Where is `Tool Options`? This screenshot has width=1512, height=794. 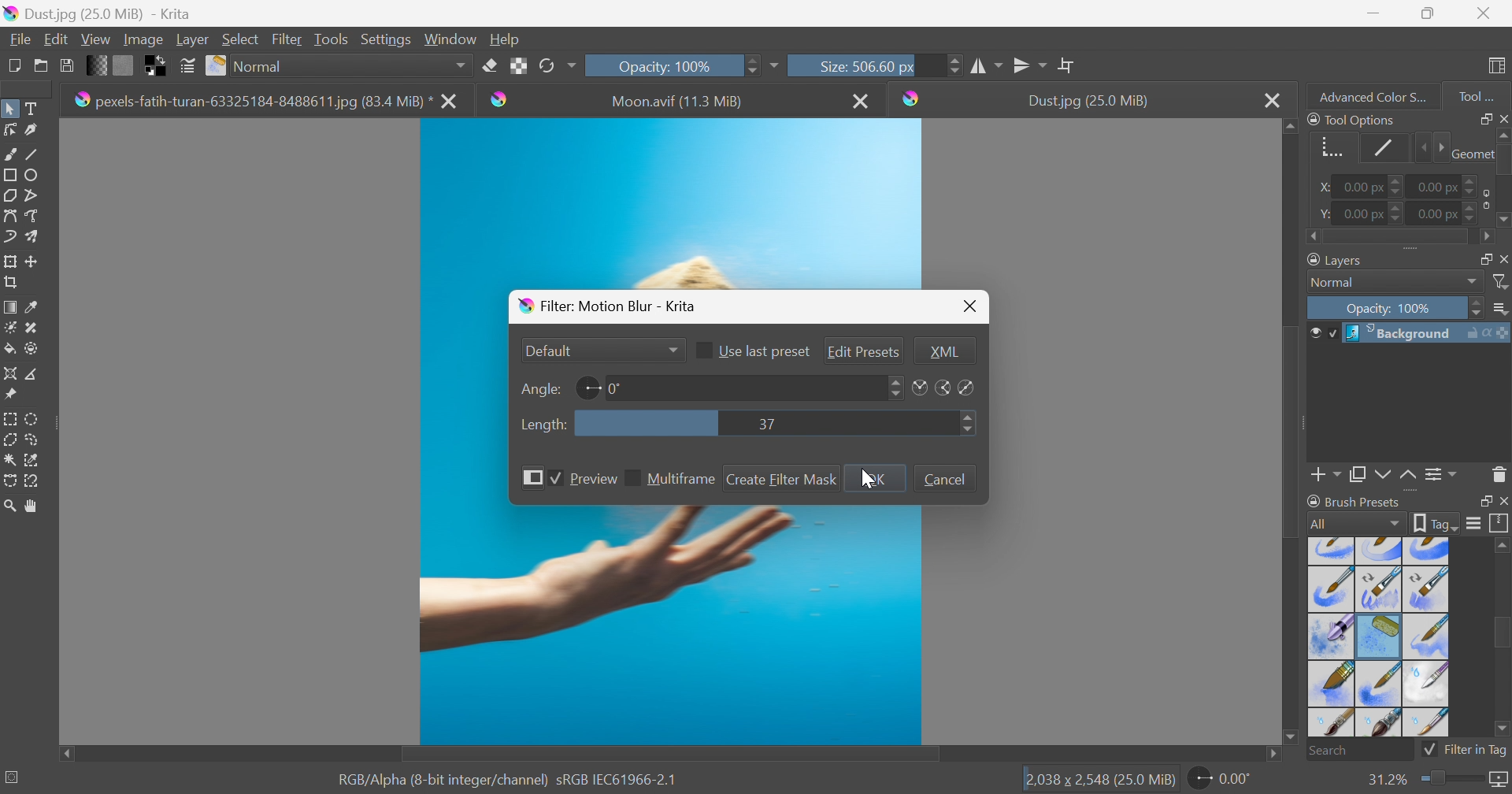 Tool Options is located at coordinates (1351, 119).